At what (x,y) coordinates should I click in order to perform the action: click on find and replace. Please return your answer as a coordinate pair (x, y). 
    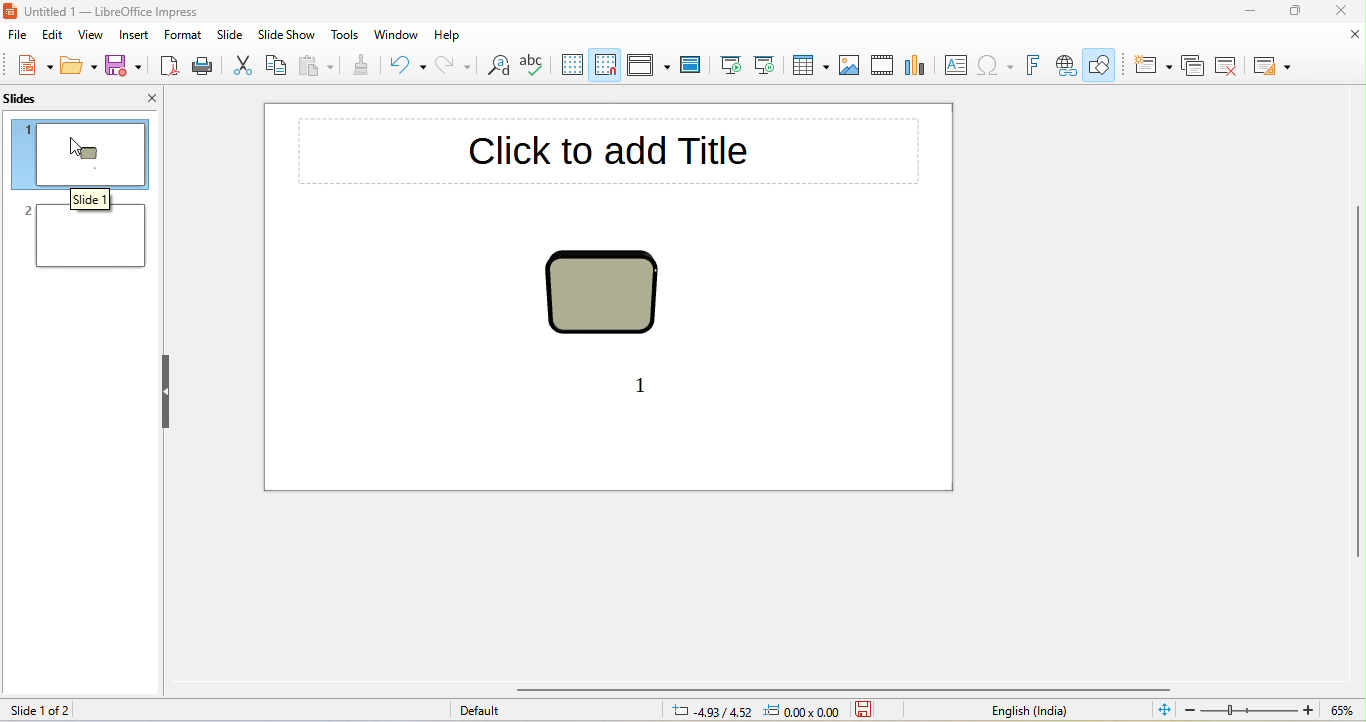
    Looking at the image, I should click on (498, 67).